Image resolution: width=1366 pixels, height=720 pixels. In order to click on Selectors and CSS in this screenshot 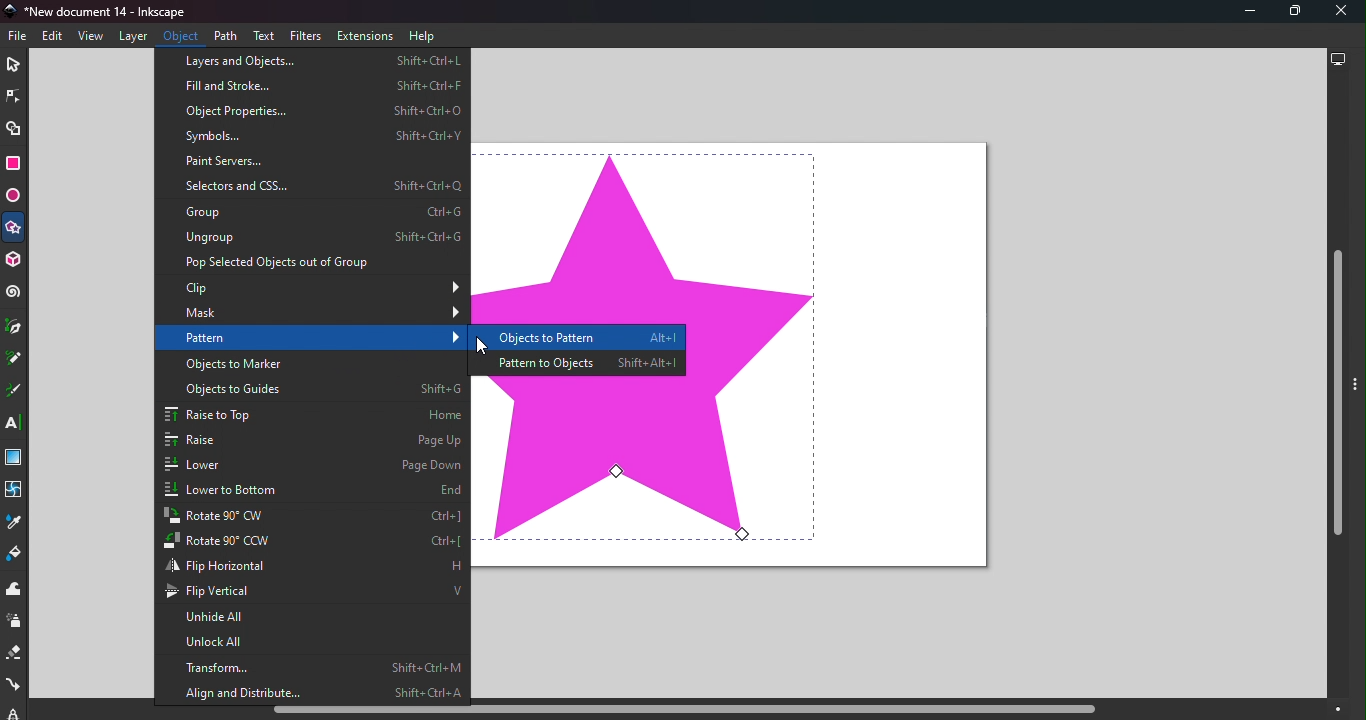, I will do `click(323, 187)`.